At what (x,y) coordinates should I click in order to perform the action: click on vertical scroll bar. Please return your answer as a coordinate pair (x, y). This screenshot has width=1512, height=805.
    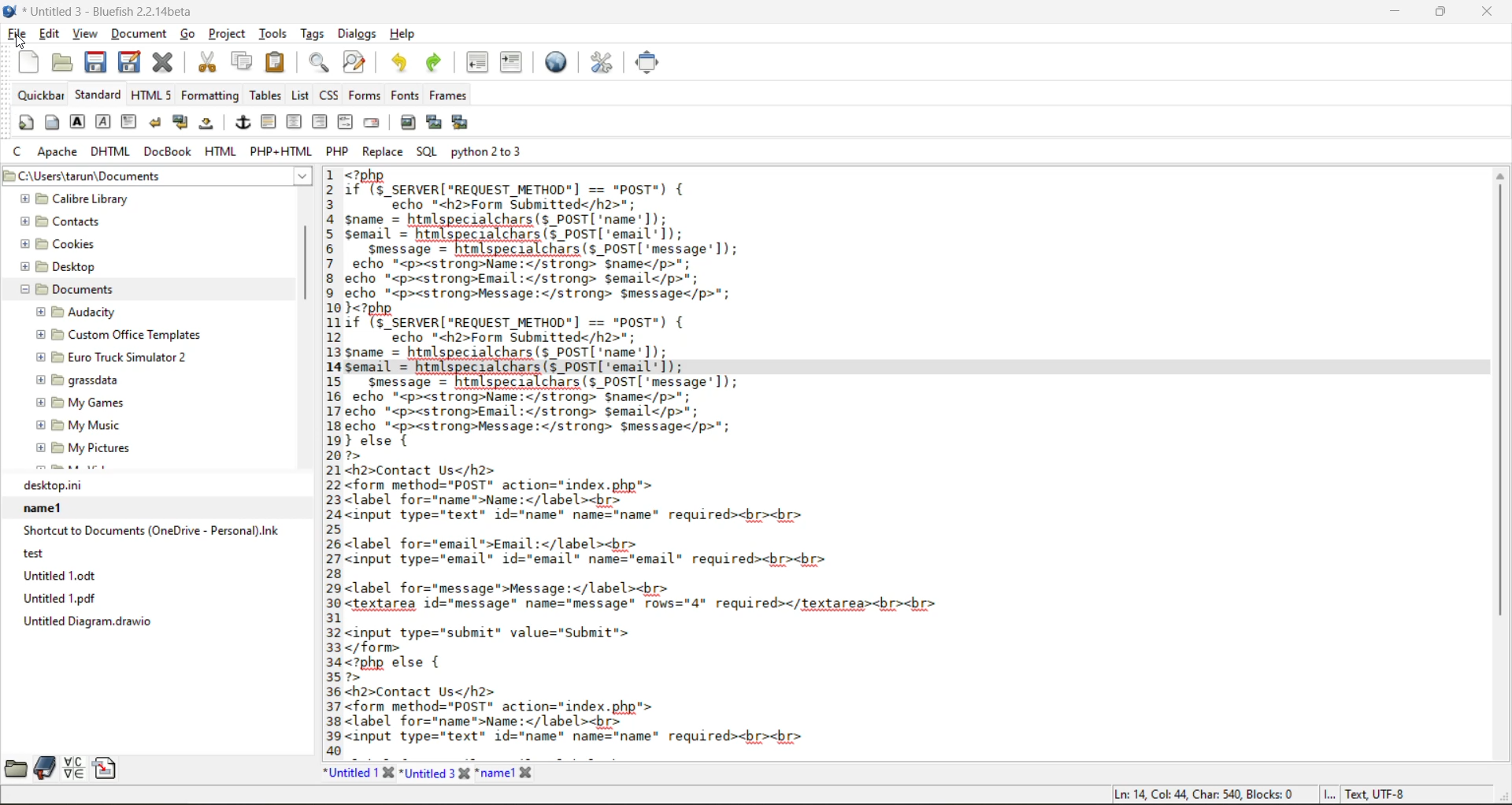
    Looking at the image, I should click on (306, 255).